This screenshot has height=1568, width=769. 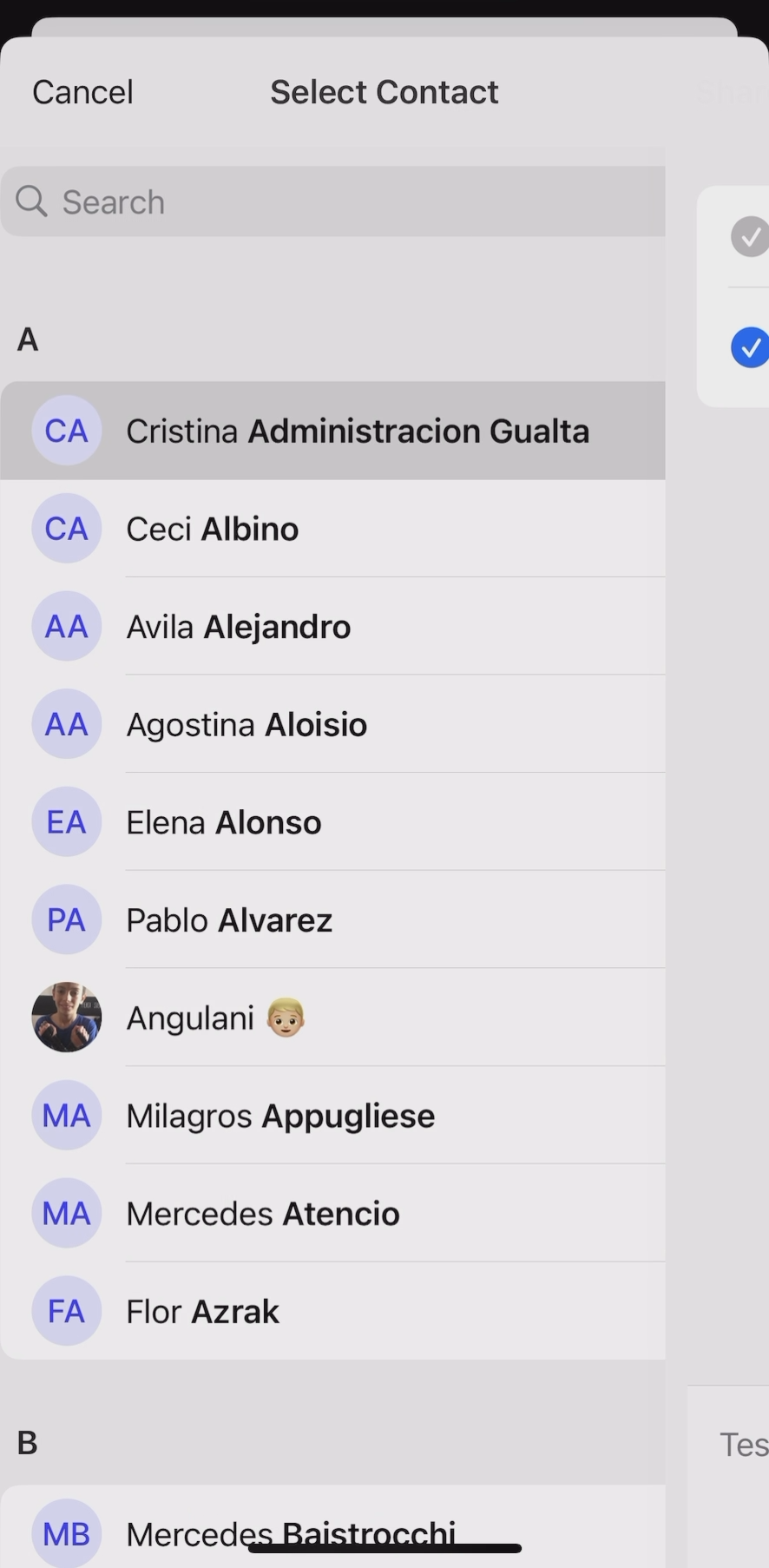 What do you see at coordinates (24, 1433) in the screenshot?
I see `B` at bounding box center [24, 1433].